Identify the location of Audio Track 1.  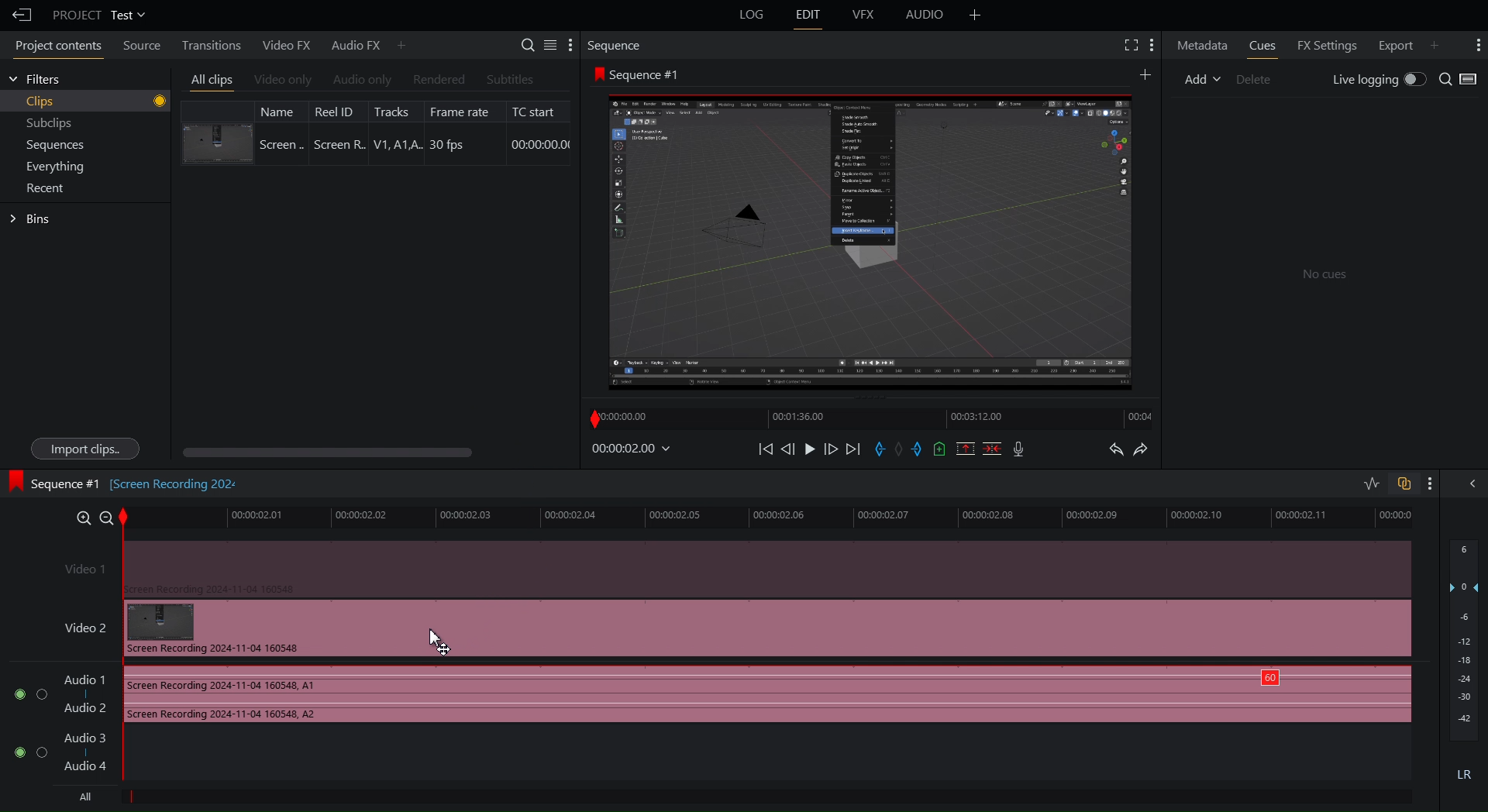
(706, 696).